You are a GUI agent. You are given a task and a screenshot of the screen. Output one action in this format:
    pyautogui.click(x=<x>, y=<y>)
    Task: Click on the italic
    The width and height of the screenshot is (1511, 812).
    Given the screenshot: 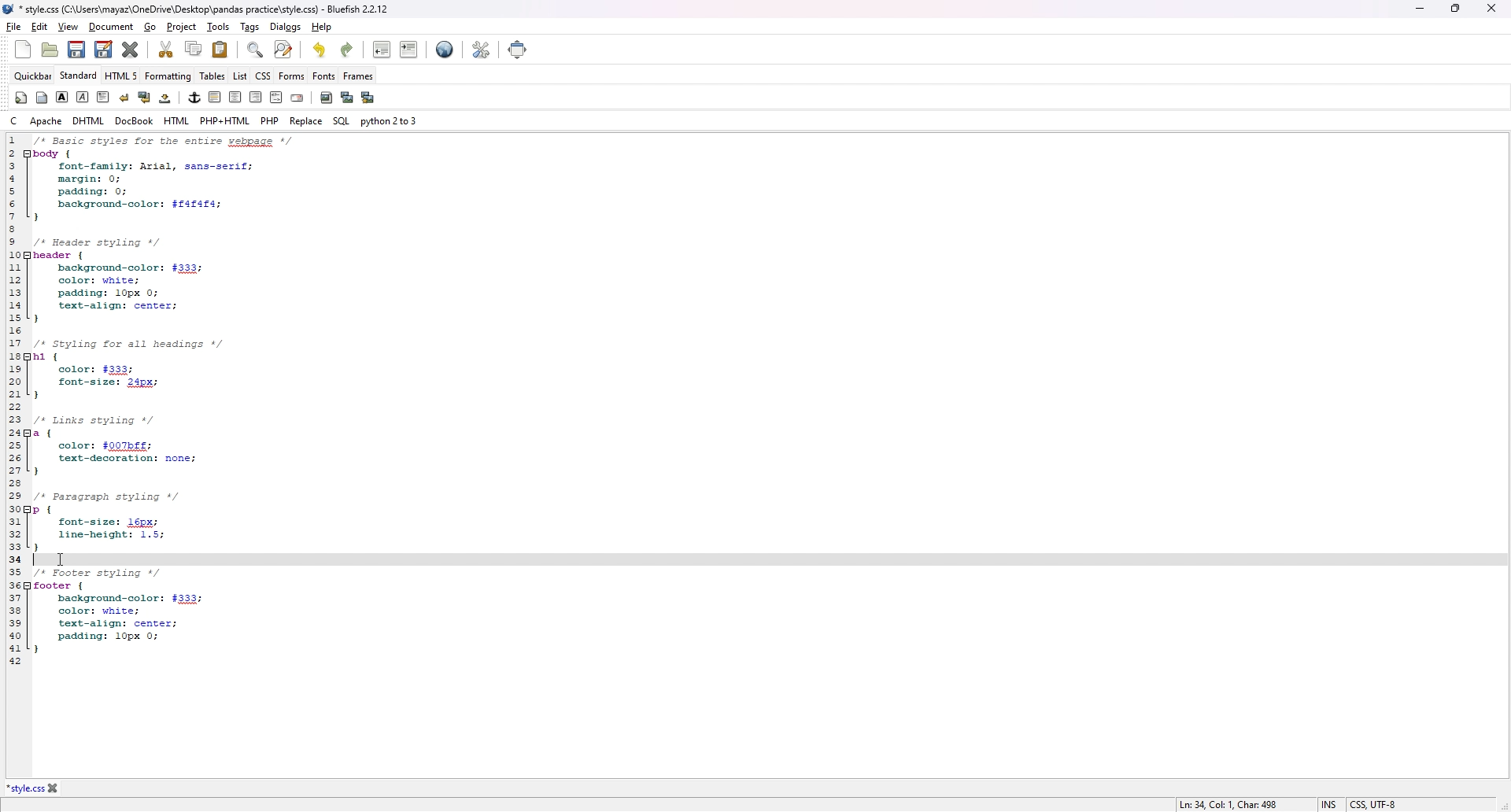 What is the action you would take?
    pyautogui.click(x=83, y=95)
    